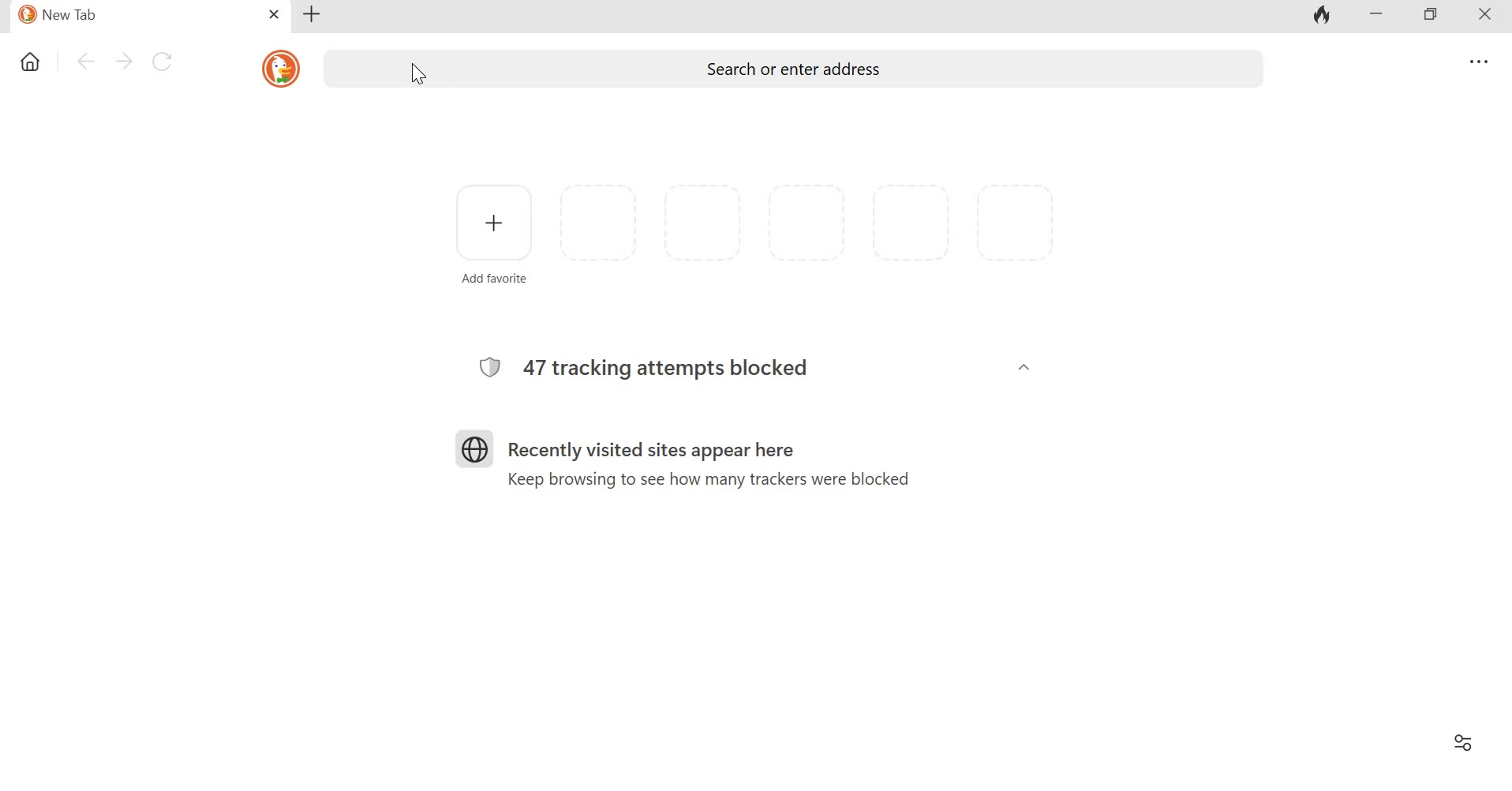 The image size is (1512, 791). What do you see at coordinates (709, 480) in the screenshot?
I see `Keep browsing to see how many trackers were blocked` at bounding box center [709, 480].